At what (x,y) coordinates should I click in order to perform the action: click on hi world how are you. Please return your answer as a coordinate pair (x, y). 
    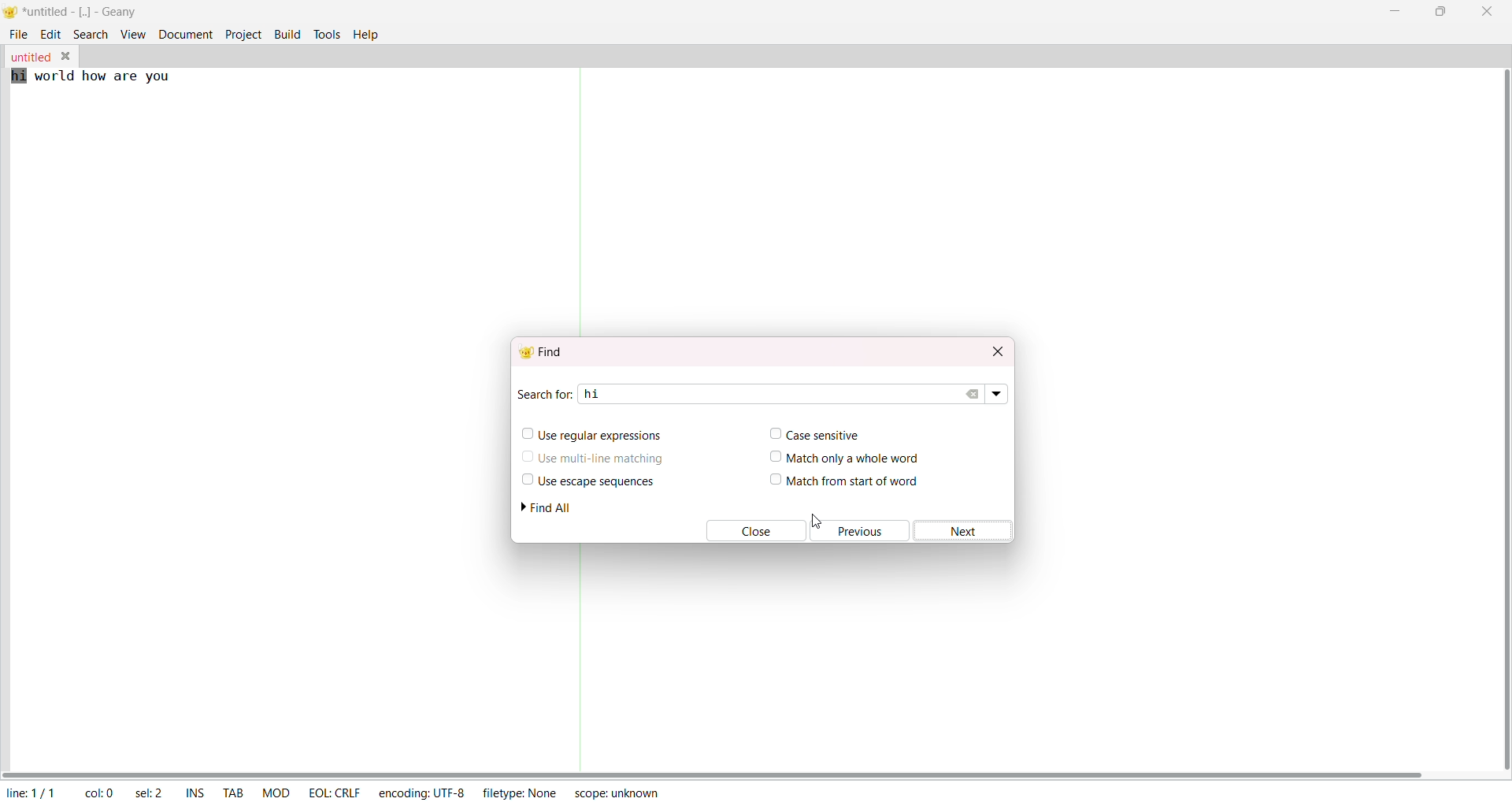
    Looking at the image, I should click on (93, 77).